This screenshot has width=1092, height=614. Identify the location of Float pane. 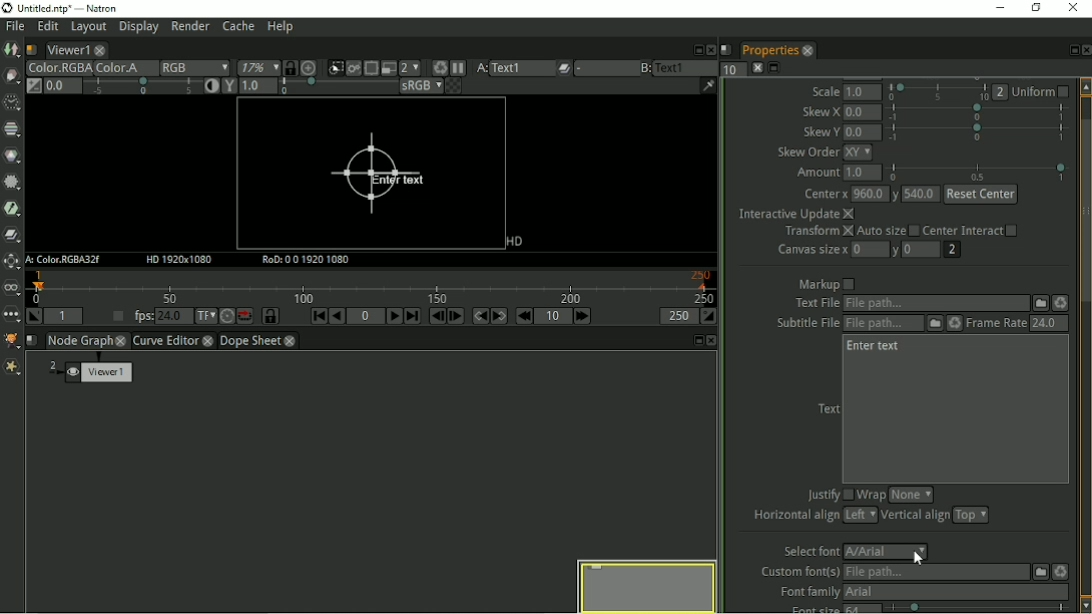
(695, 49).